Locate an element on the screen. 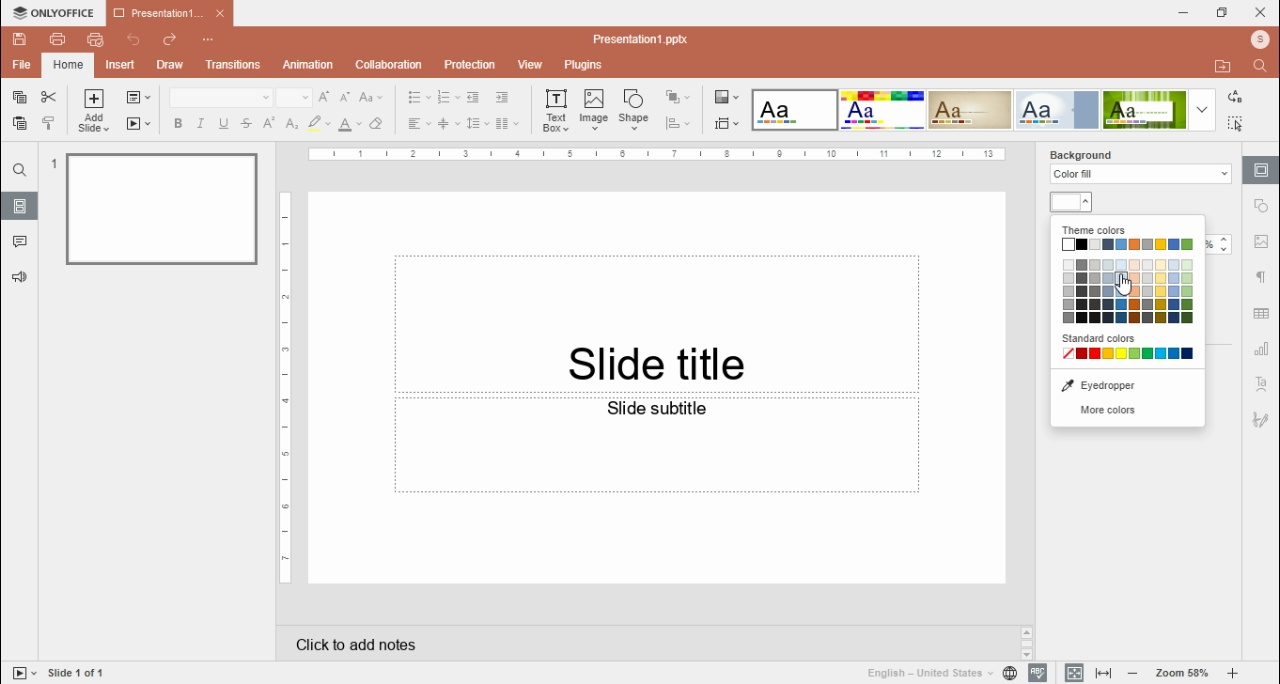  click to add notes is located at coordinates (358, 646).